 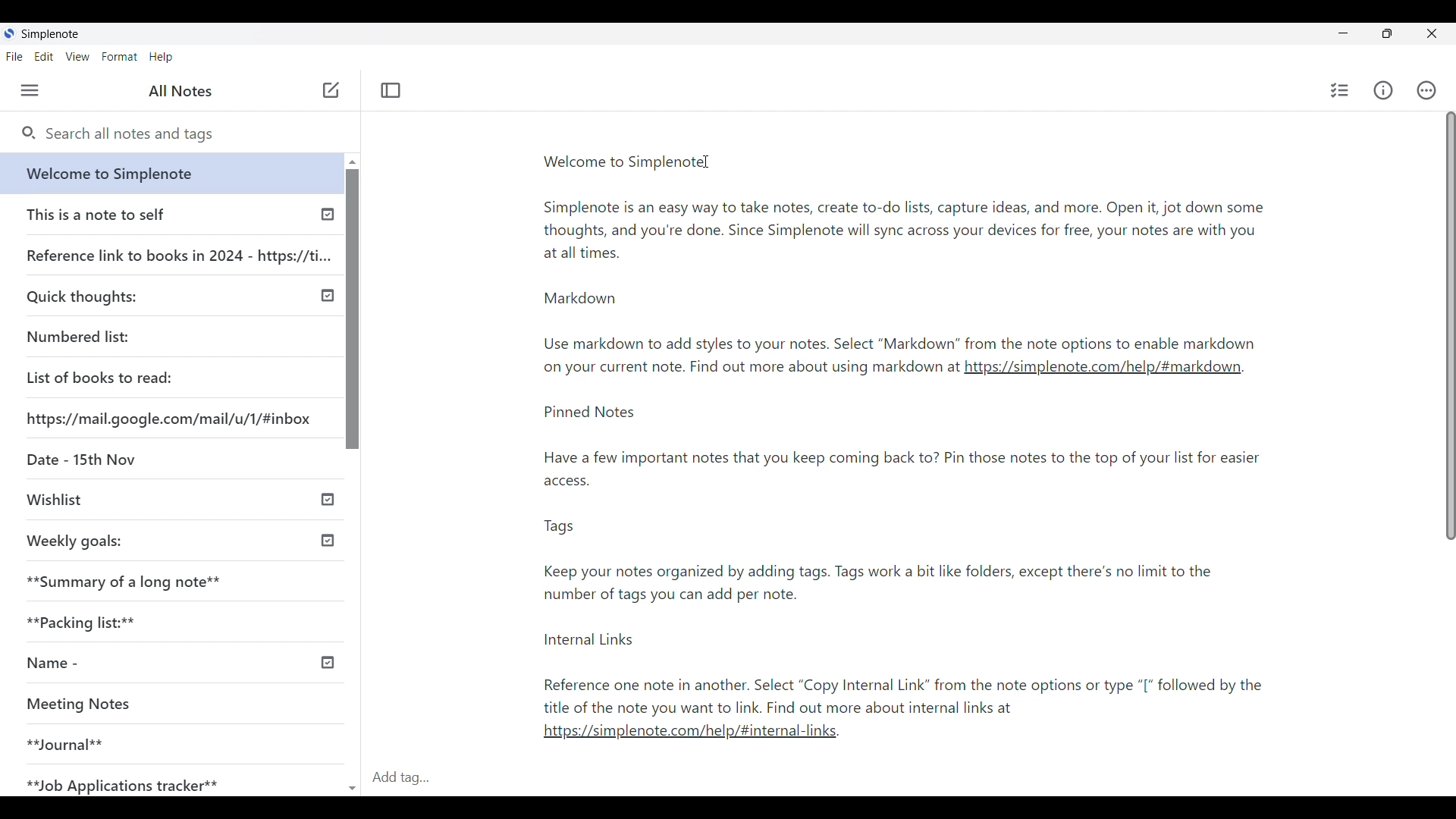 I want to click on Title of left panel, so click(x=180, y=91).